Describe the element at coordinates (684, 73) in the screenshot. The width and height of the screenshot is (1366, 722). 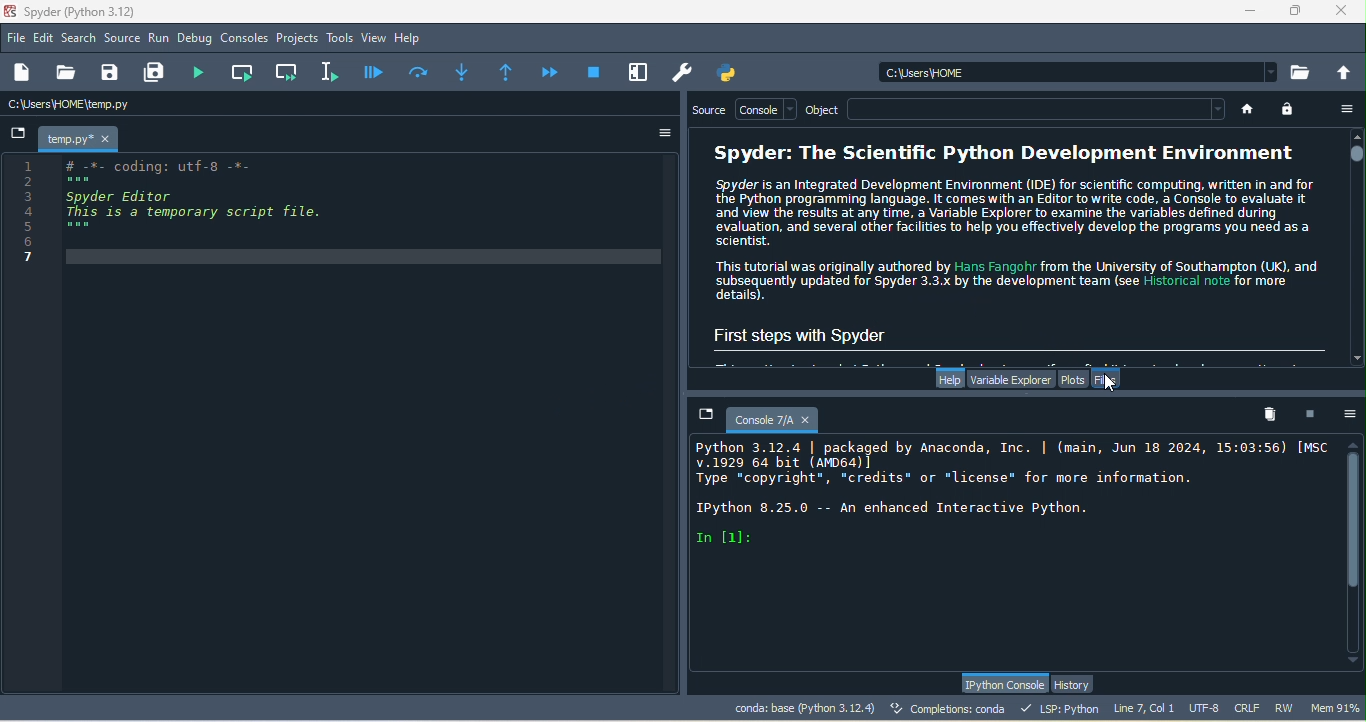
I see `preferences` at that location.